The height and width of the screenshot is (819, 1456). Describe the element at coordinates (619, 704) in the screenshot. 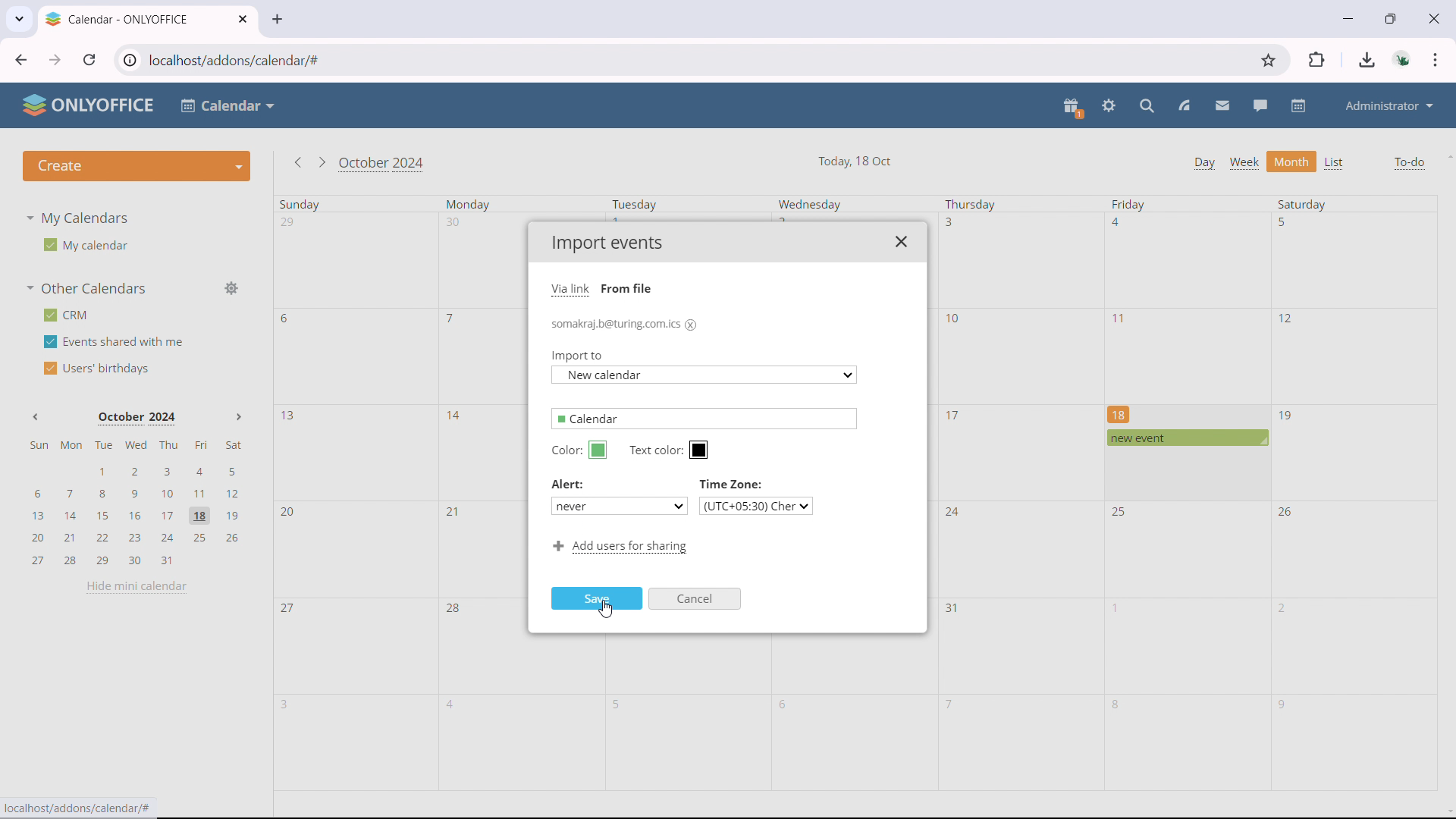

I see `5` at that location.